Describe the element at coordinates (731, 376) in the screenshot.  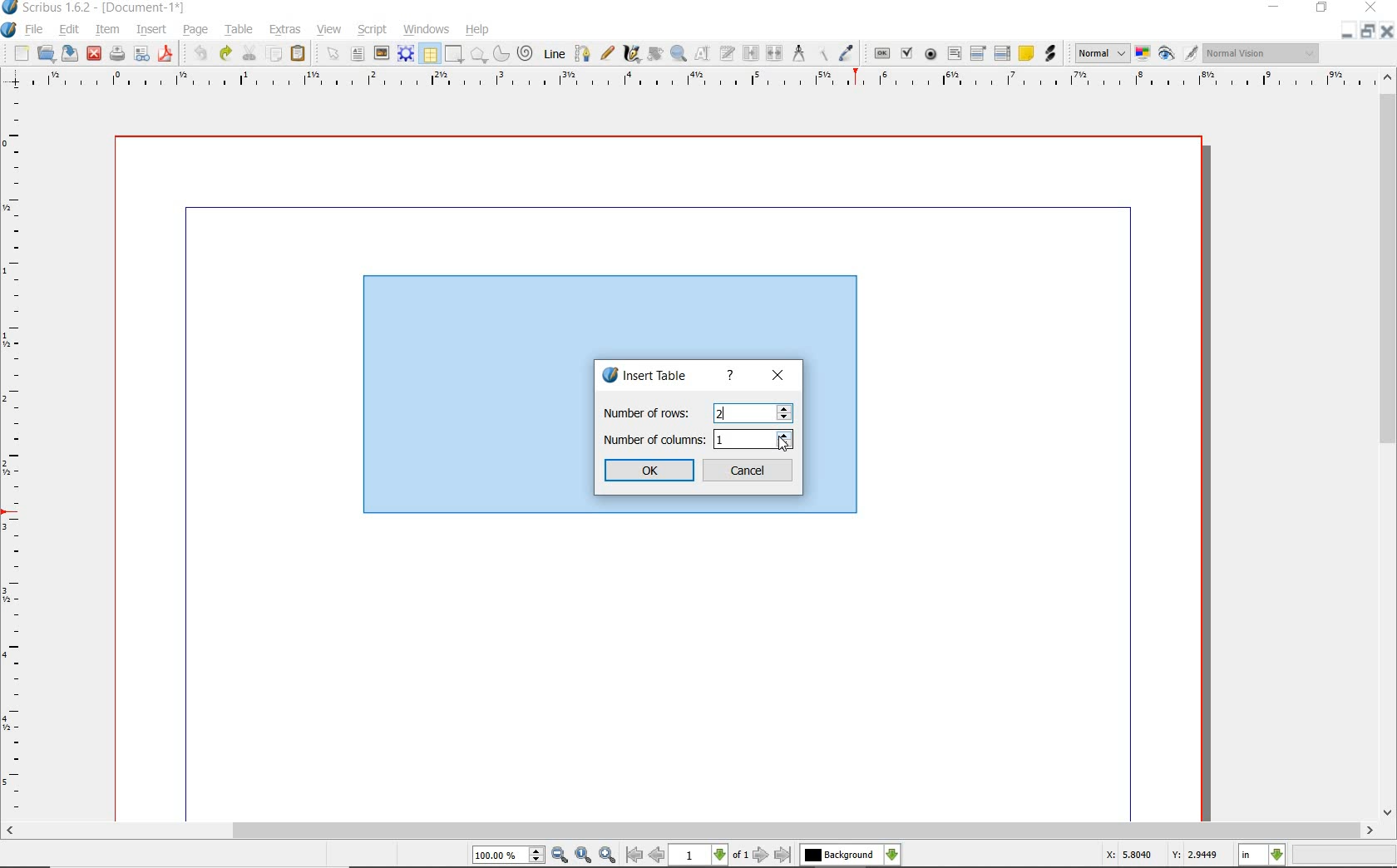
I see `help` at that location.